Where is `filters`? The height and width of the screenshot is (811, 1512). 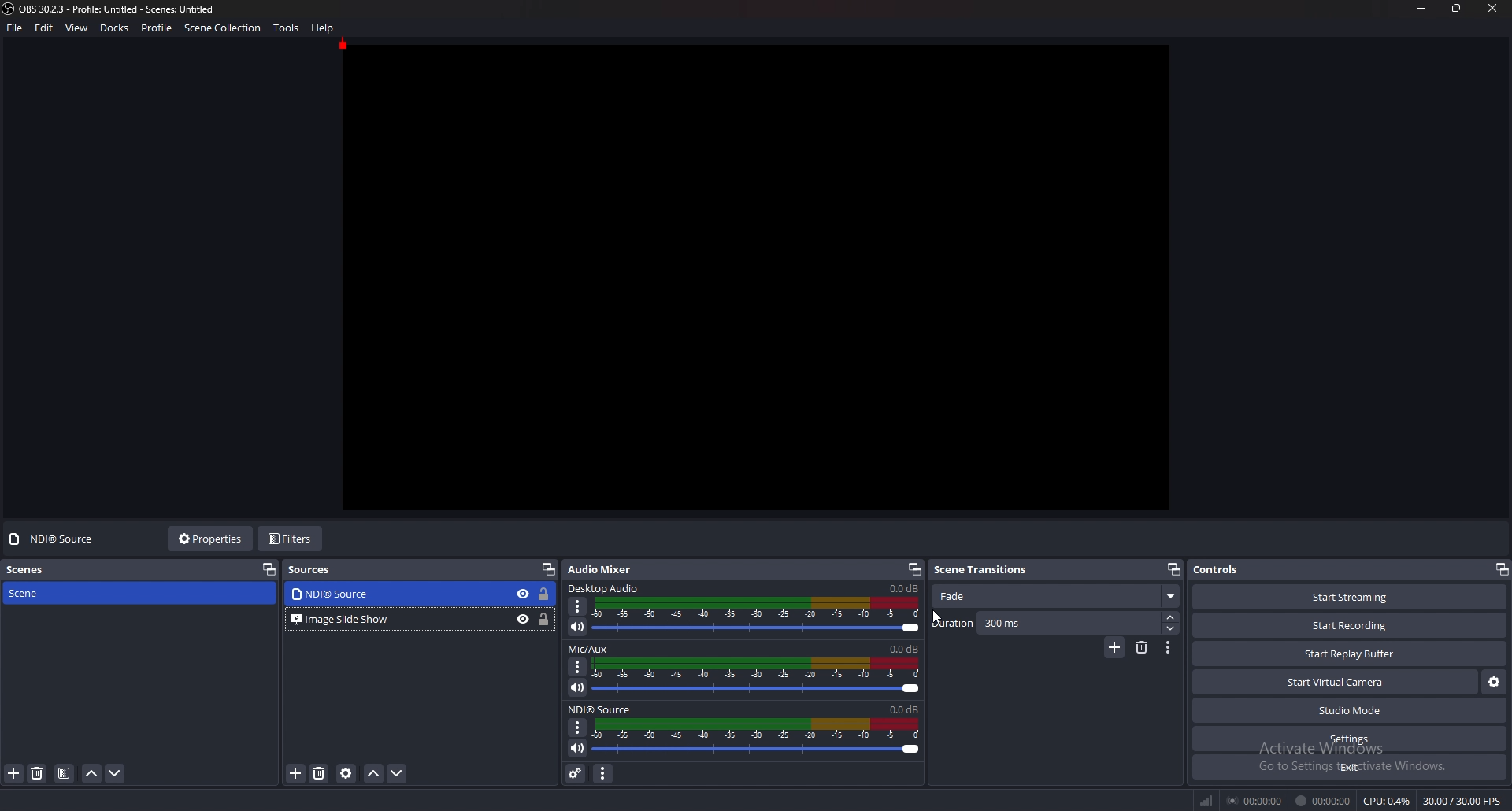 filters is located at coordinates (291, 539).